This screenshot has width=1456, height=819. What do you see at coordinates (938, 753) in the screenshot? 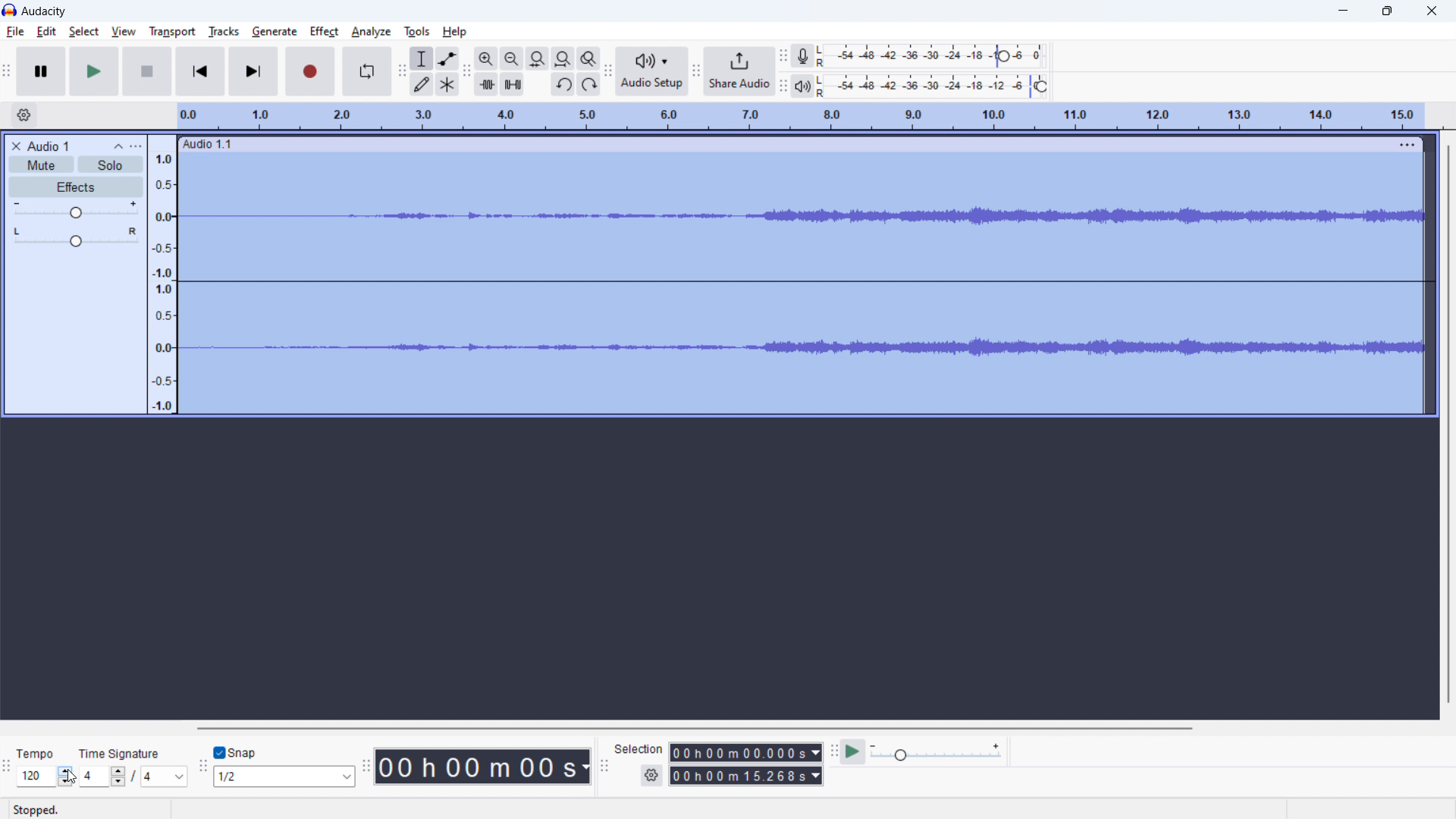
I see `playback speed` at bounding box center [938, 753].